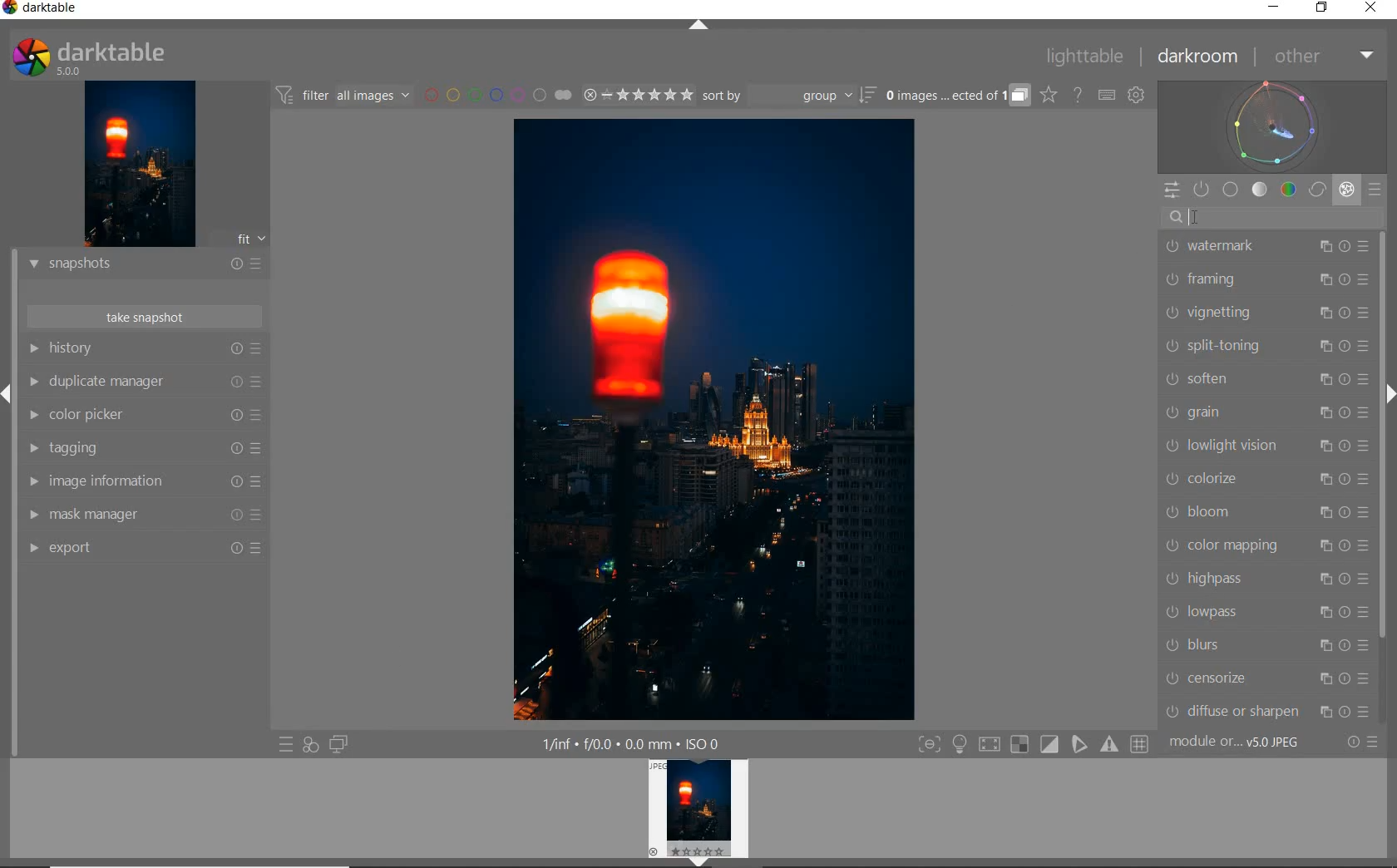 This screenshot has height=868, width=1397. I want to click on Multiple instance, so click(1323, 279).